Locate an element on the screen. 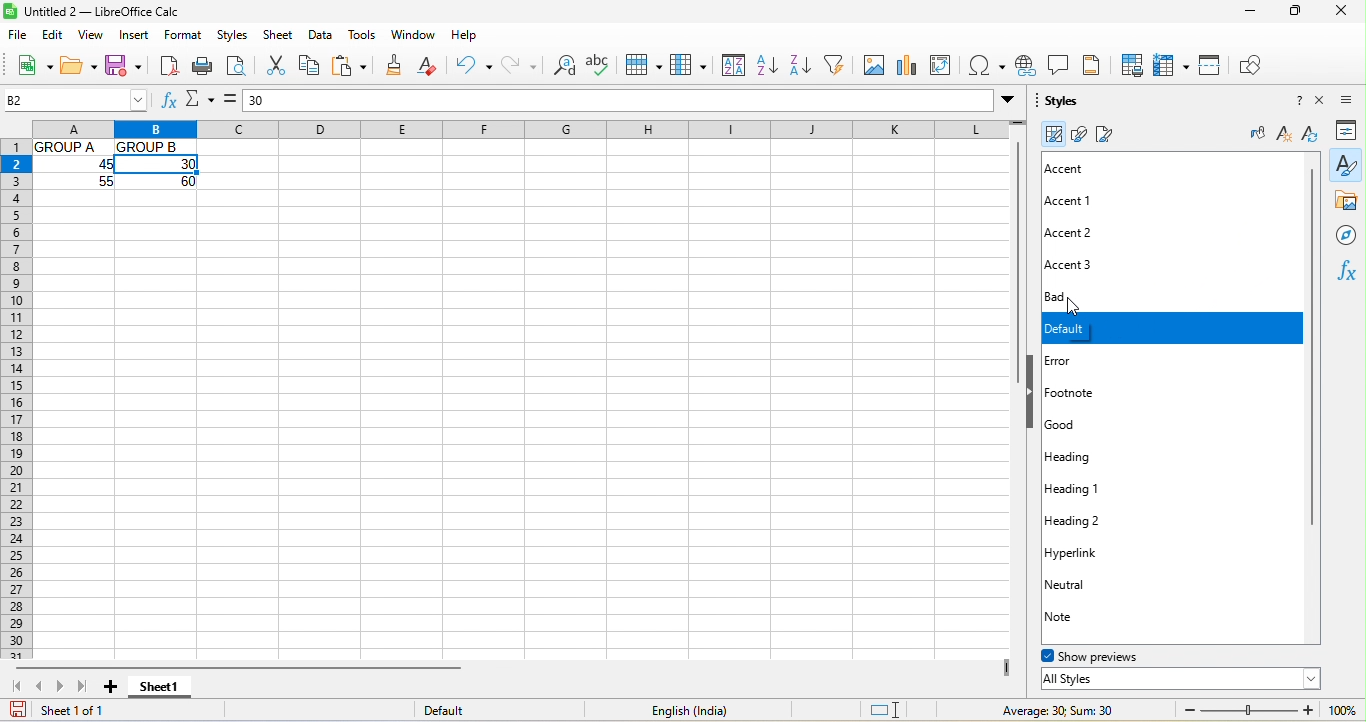 The height and width of the screenshot is (722, 1366). print is located at coordinates (205, 68).